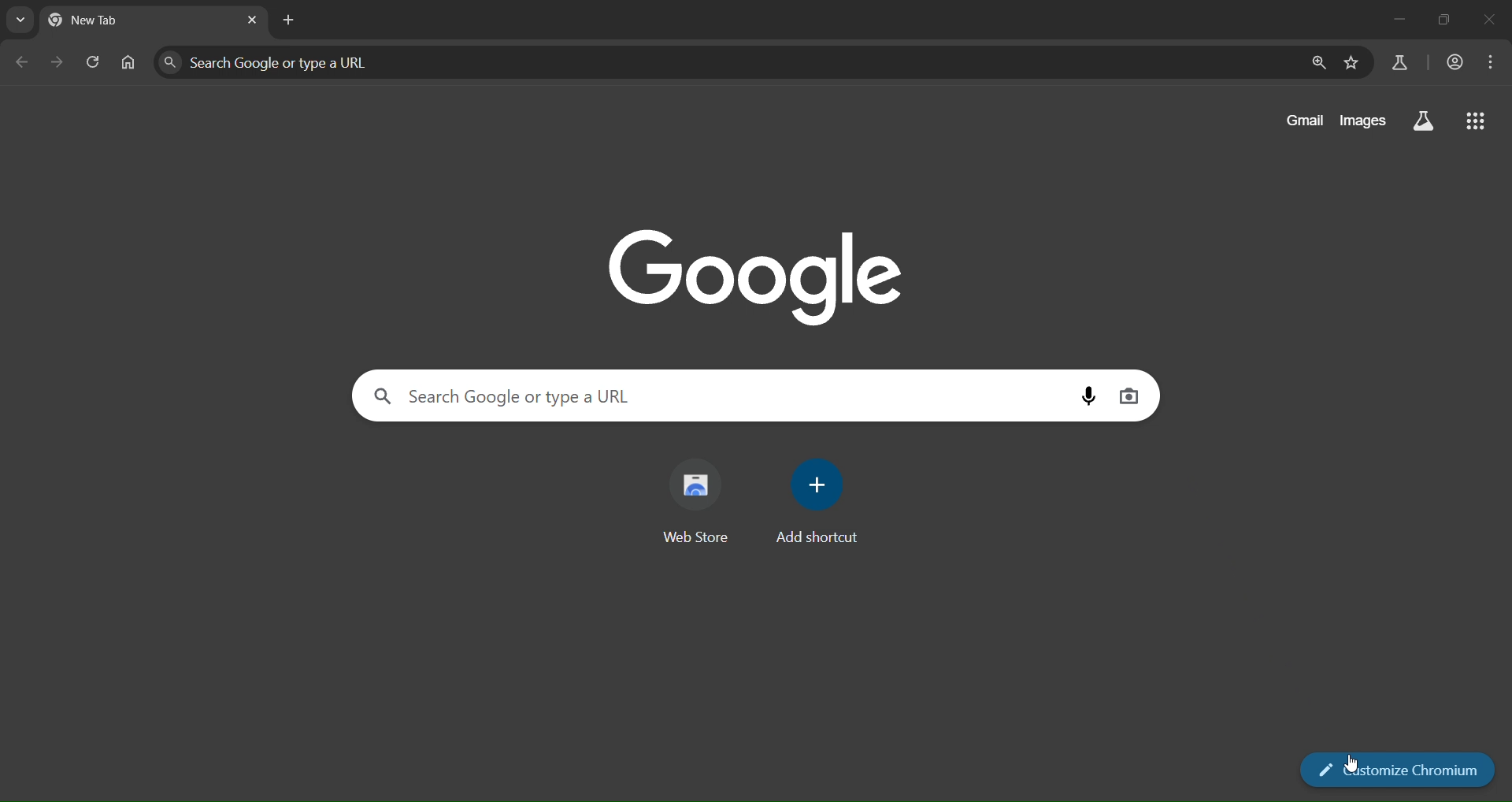 The width and height of the screenshot is (1512, 802). I want to click on menu, so click(1489, 65).